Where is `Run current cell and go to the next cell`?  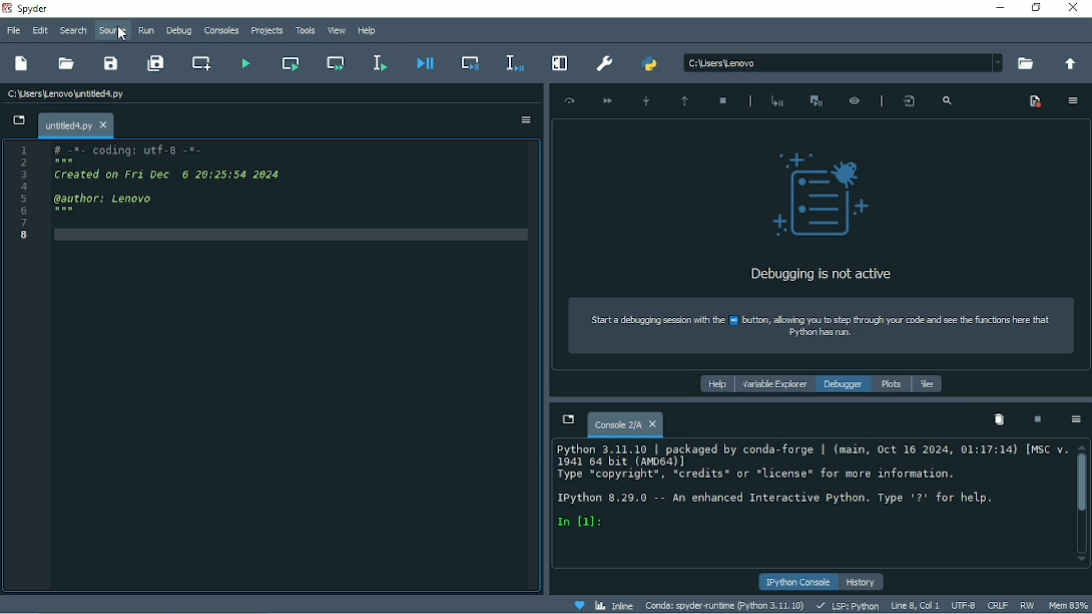 Run current cell and go to the next cell is located at coordinates (338, 64).